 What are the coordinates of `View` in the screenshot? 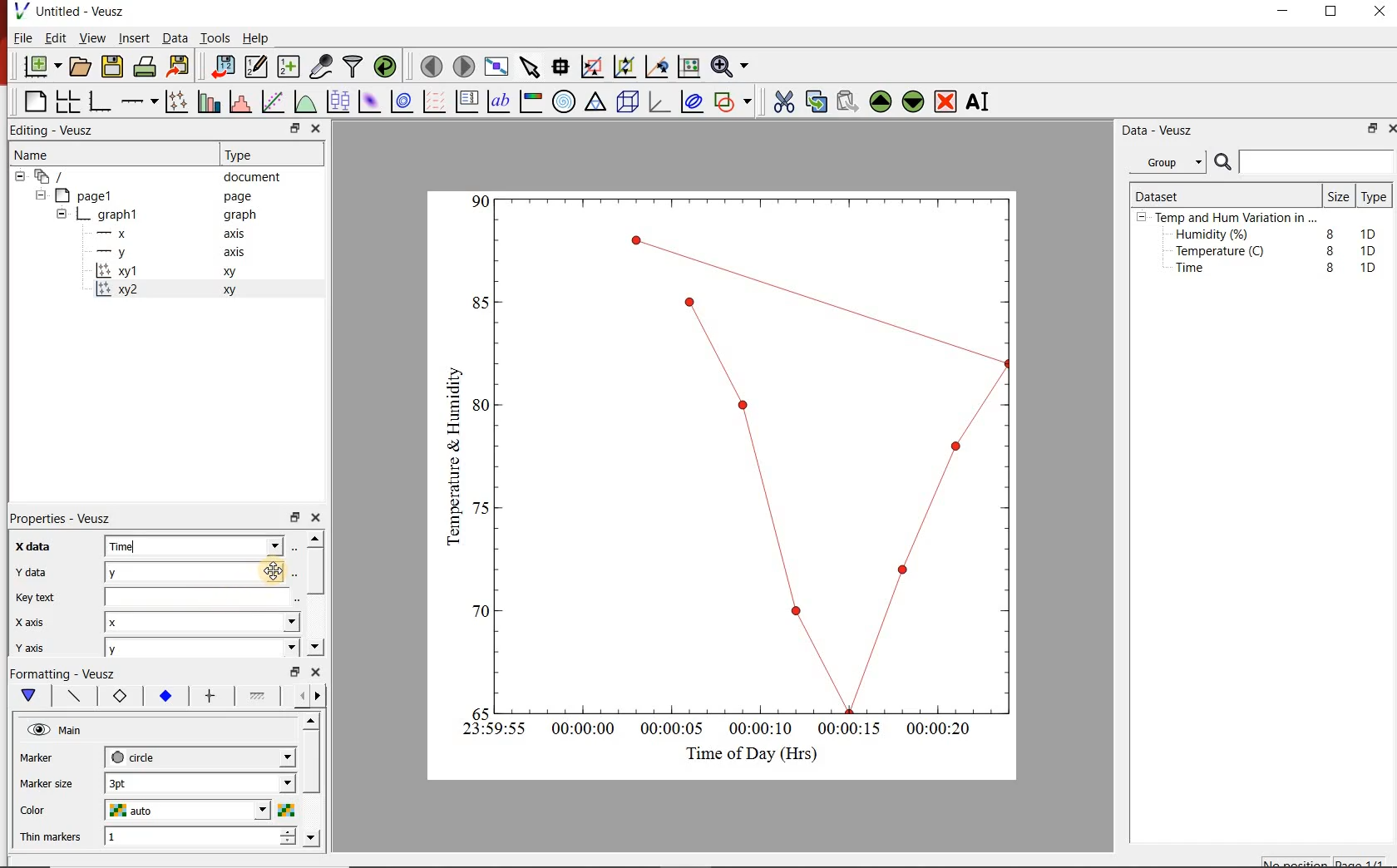 It's located at (92, 38).